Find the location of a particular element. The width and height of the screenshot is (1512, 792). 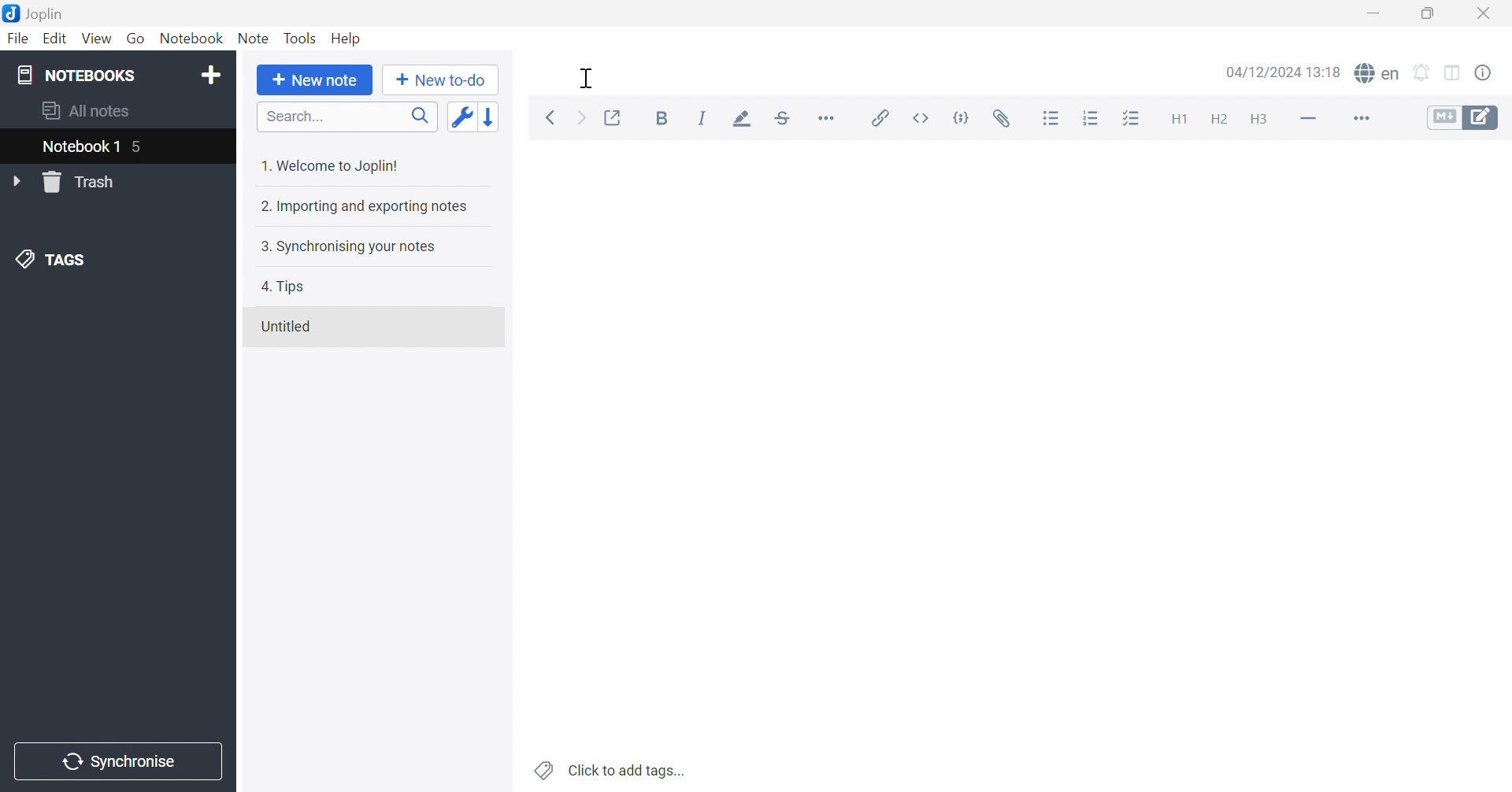

Code is located at coordinates (960, 116).